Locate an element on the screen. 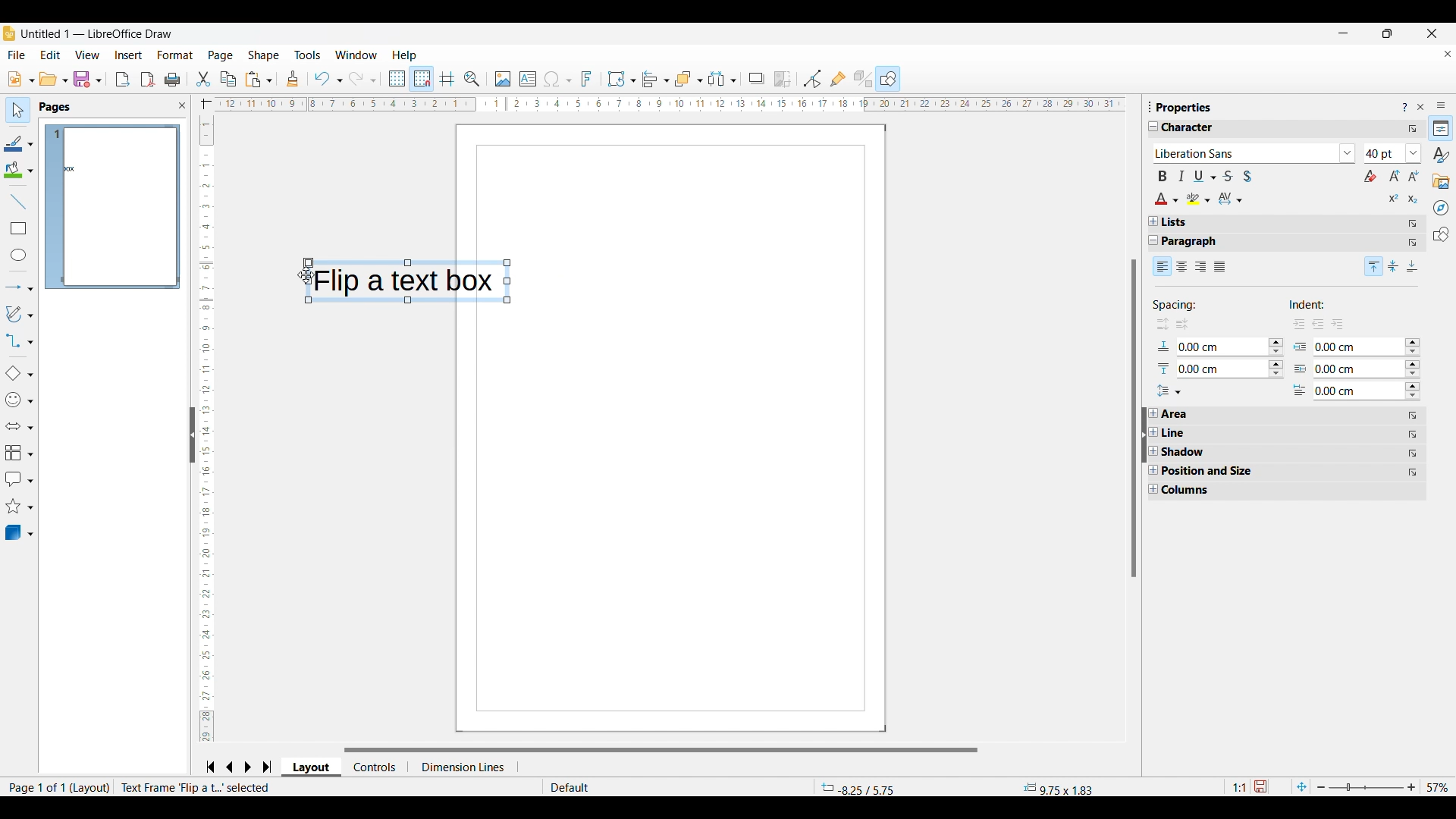 The image size is (1456, 819). Indicates spacing options is located at coordinates (1176, 307).